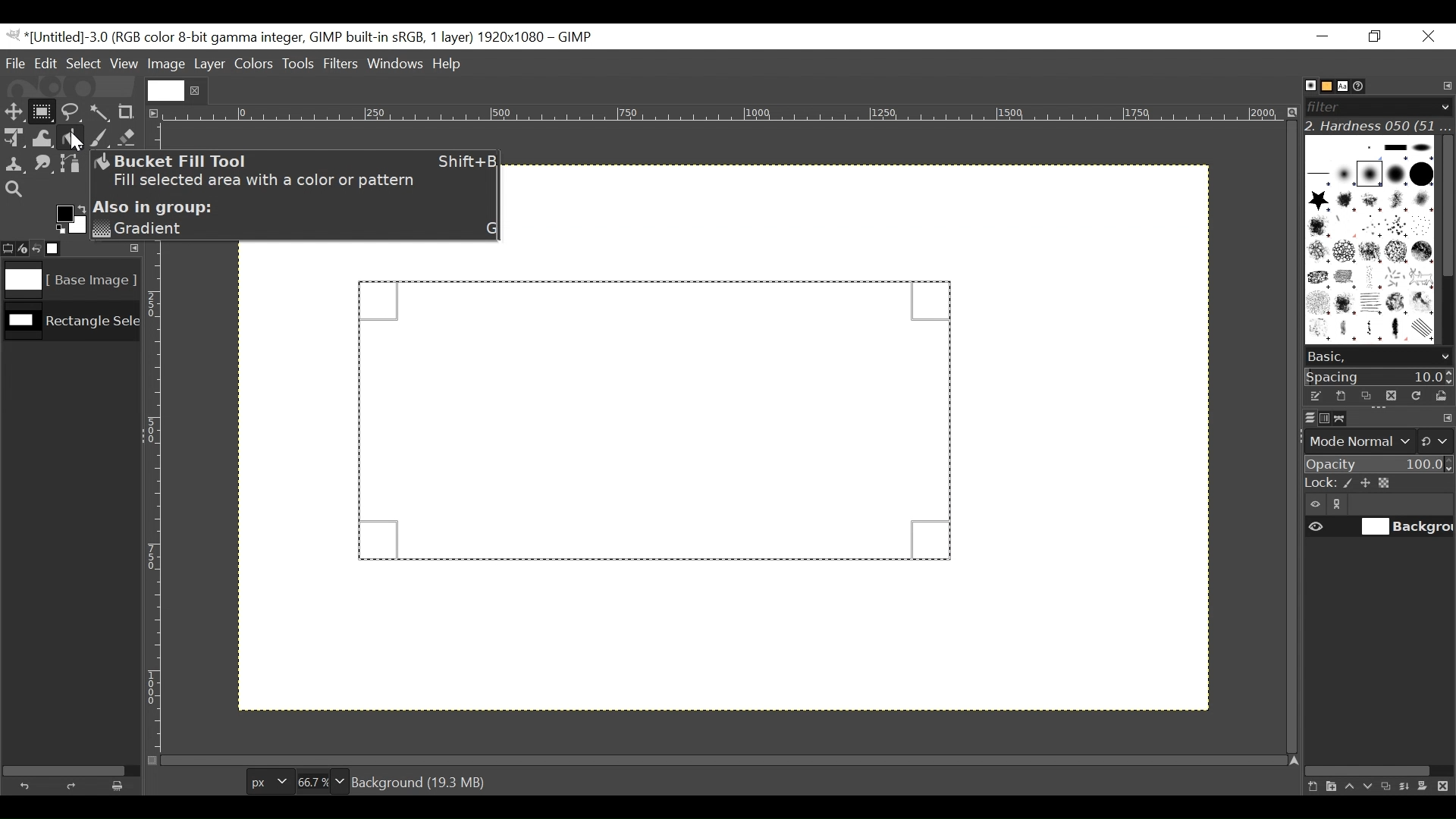 The height and width of the screenshot is (819, 1456). I want to click on Undo, so click(28, 784).